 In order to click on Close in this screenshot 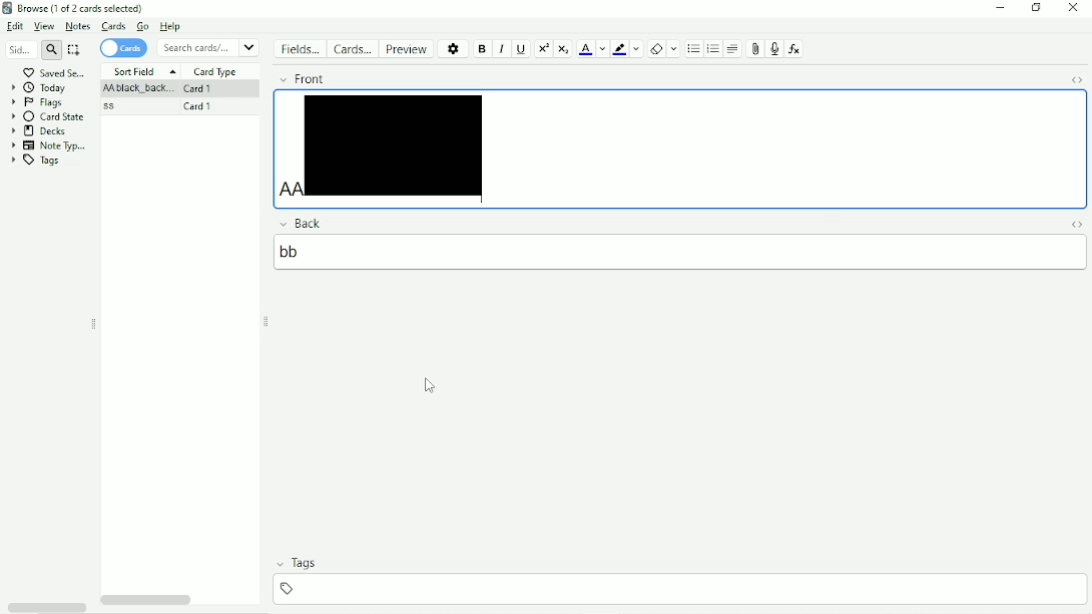, I will do `click(1074, 9)`.